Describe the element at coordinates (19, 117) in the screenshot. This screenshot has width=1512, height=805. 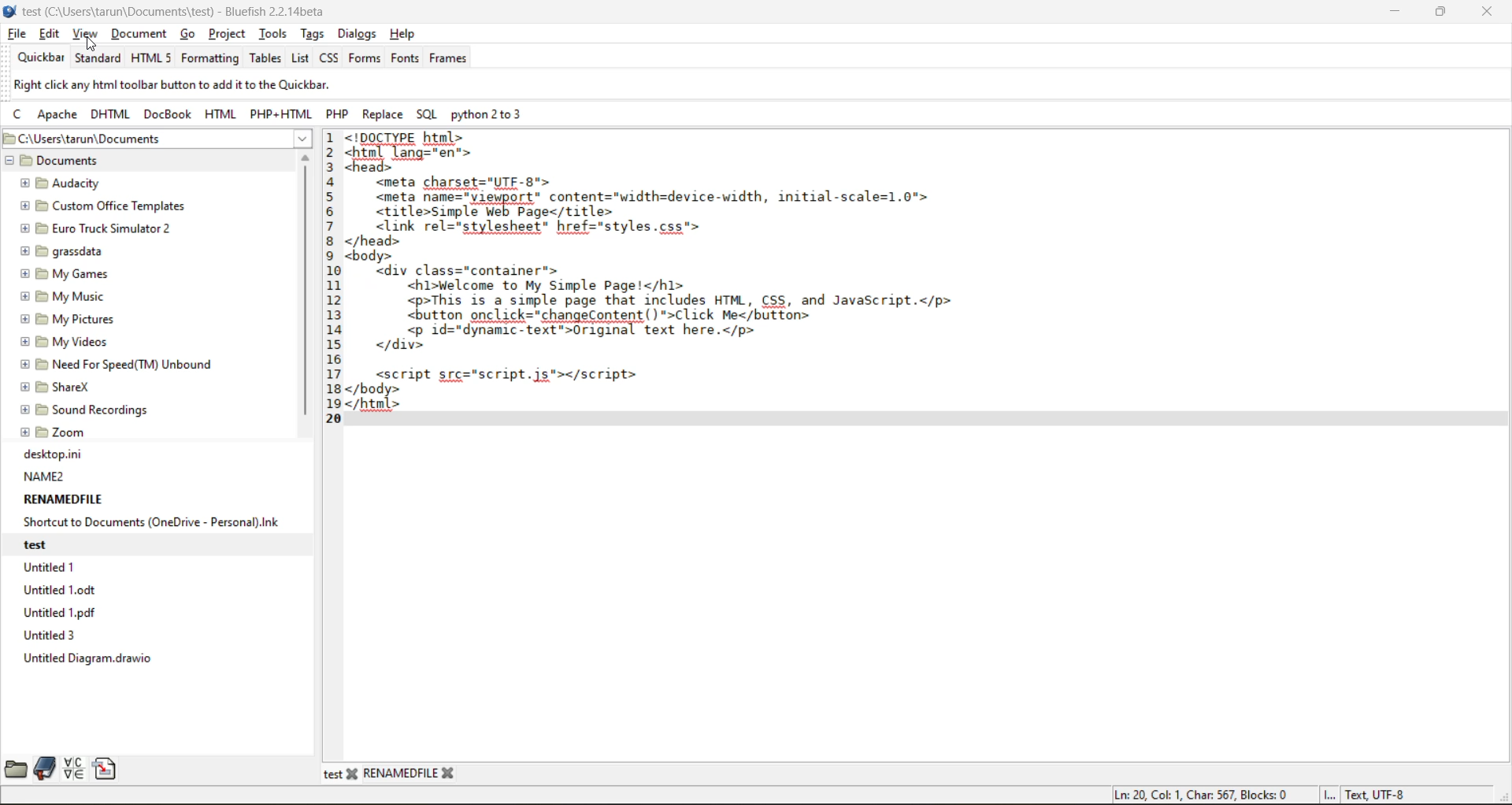
I see `c` at that location.